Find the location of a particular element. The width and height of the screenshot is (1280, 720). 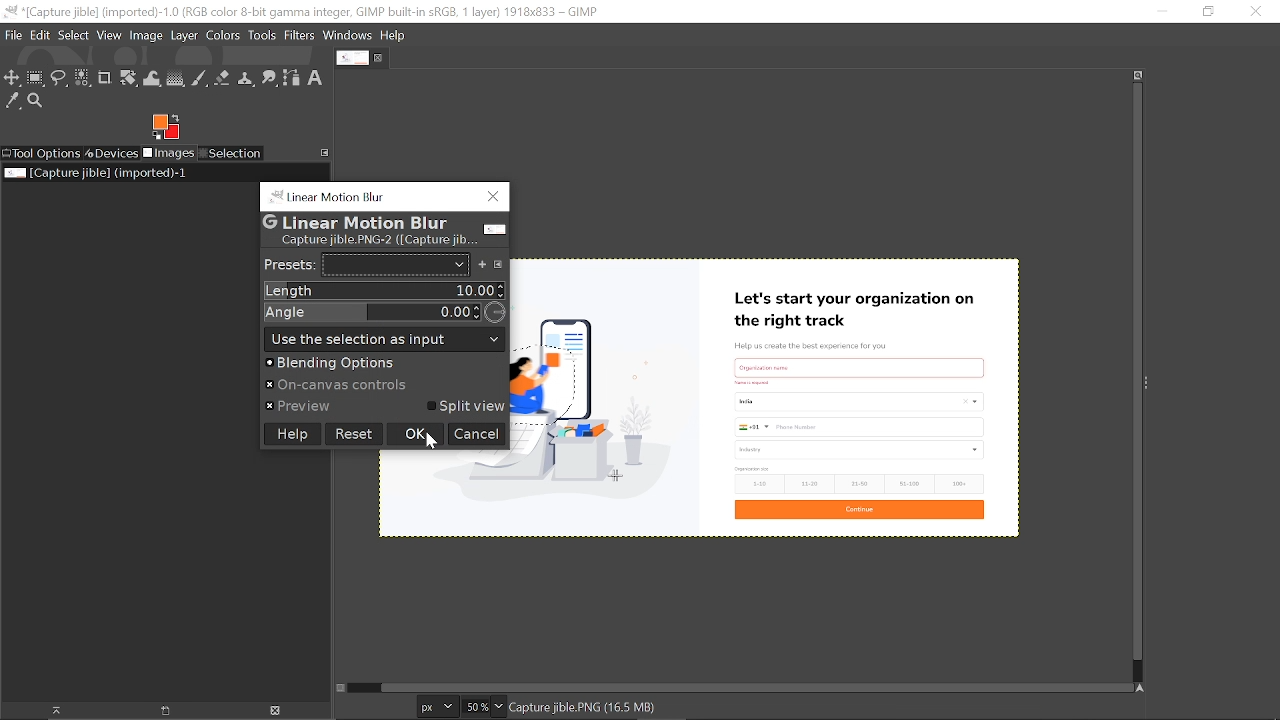

Crop text tool is located at coordinates (105, 79).